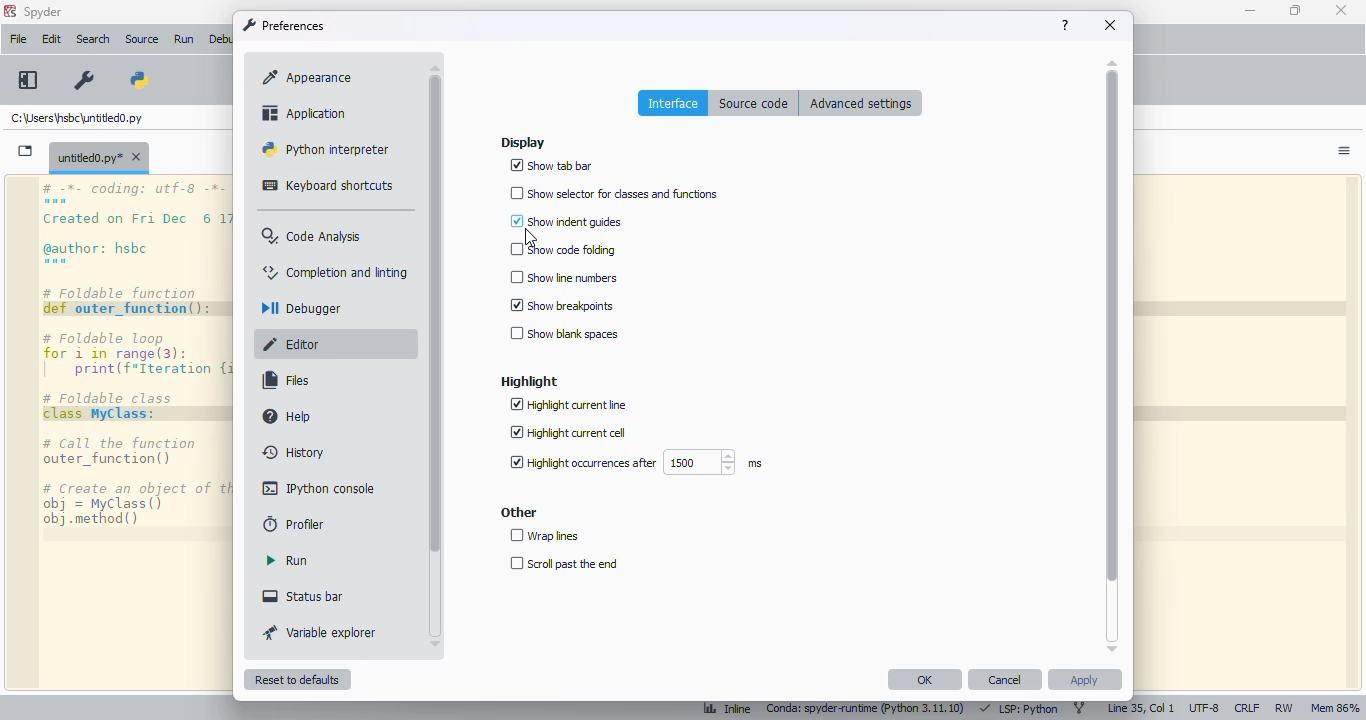  I want to click on help, so click(289, 416).